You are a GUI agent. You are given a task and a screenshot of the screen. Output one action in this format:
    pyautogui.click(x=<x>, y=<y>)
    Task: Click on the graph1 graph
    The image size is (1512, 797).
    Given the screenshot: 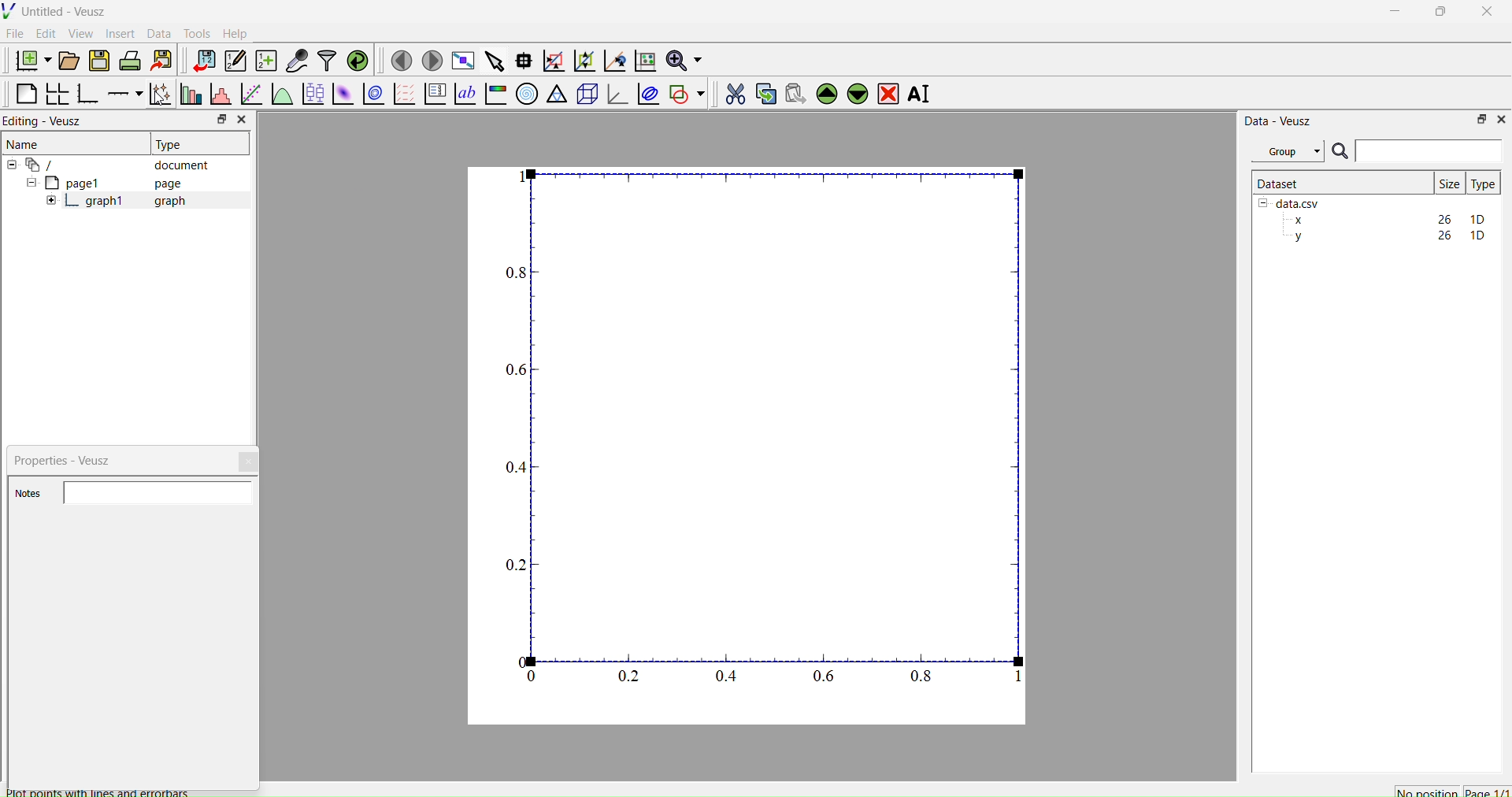 What is the action you would take?
    pyautogui.click(x=117, y=202)
    